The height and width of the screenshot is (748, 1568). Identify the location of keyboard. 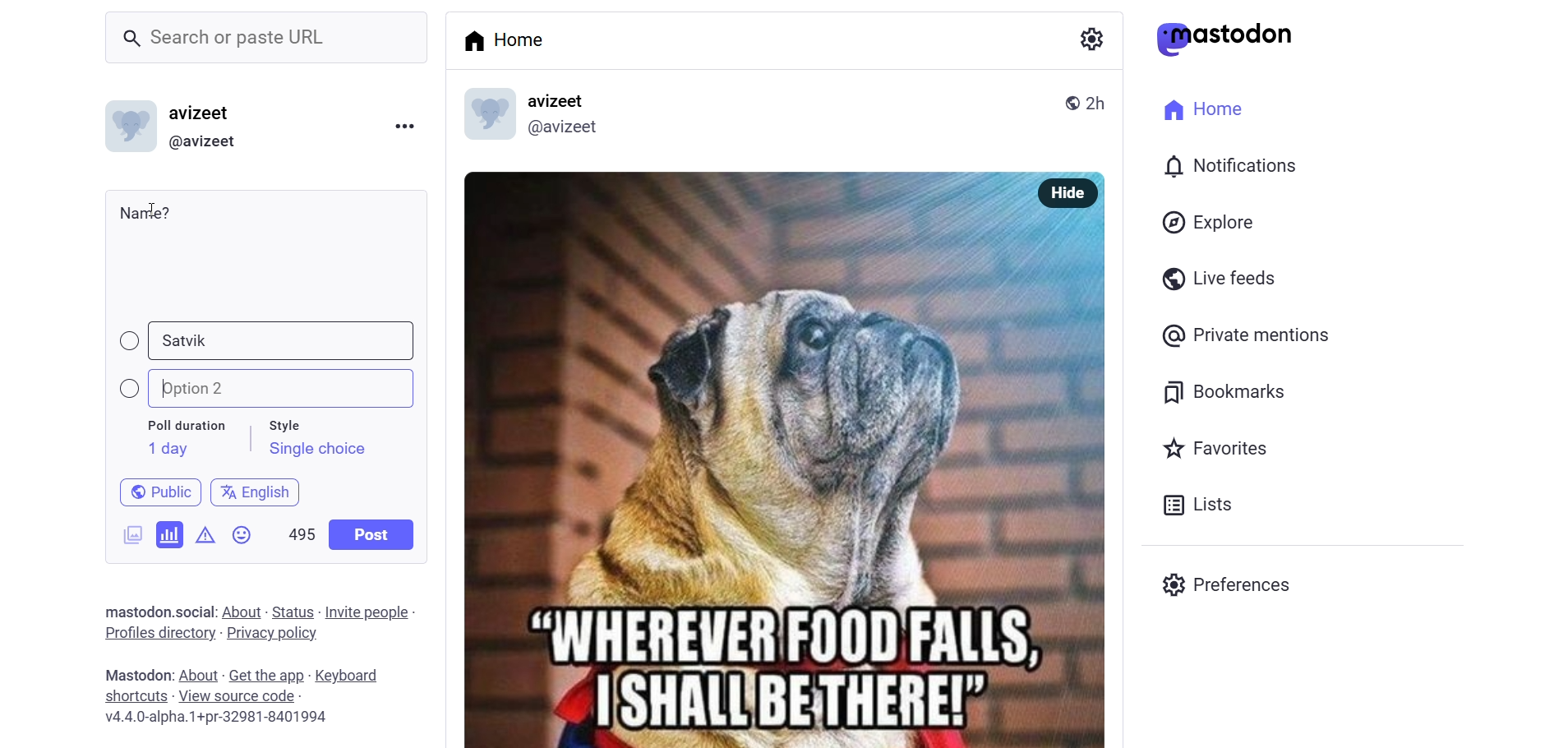
(354, 676).